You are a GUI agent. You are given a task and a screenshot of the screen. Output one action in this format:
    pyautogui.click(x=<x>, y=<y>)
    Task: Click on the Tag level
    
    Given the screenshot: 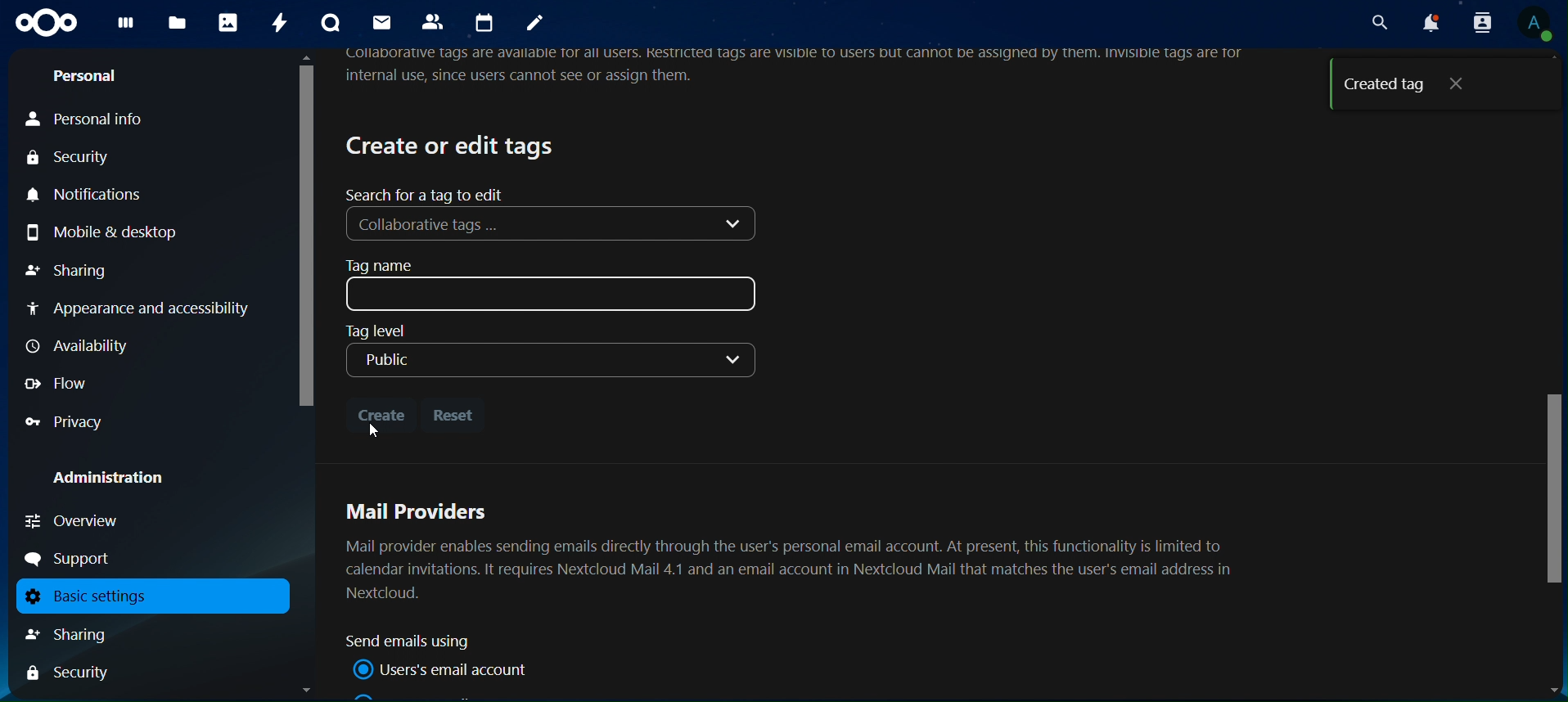 What is the action you would take?
    pyautogui.click(x=376, y=331)
    